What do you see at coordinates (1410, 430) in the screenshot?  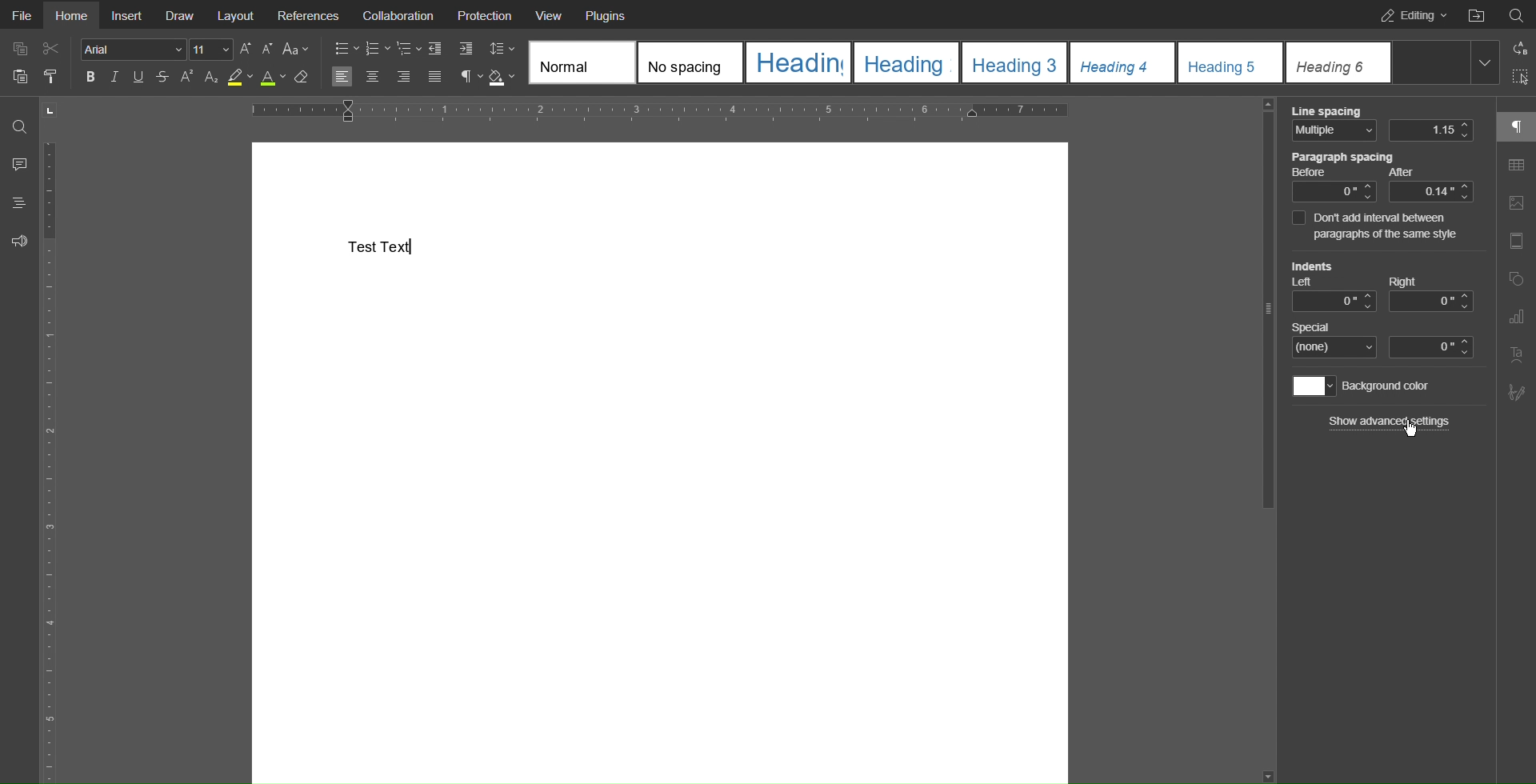 I see `Cursor at show additional settings` at bounding box center [1410, 430].